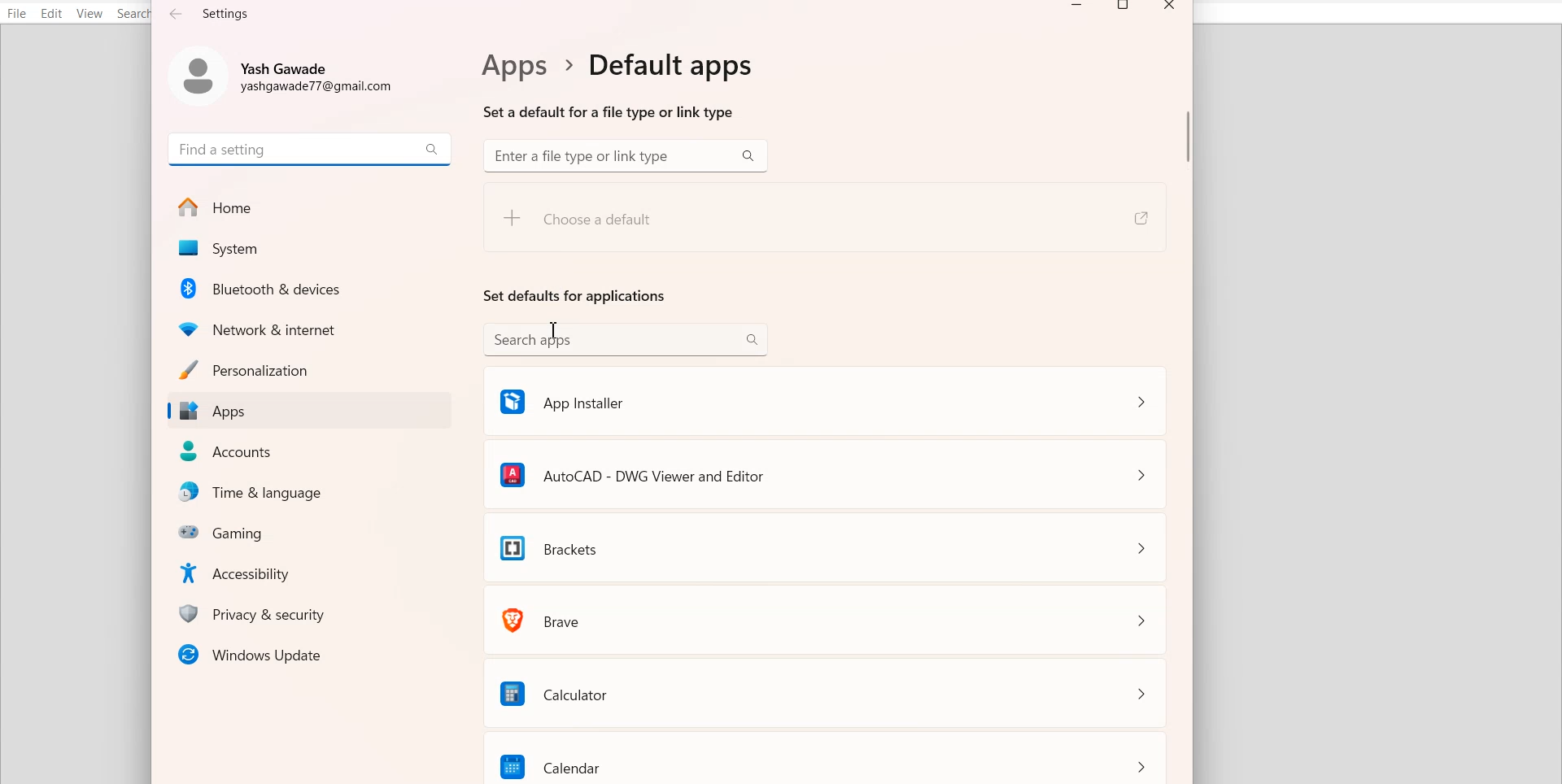 The width and height of the screenshot is (1562, 784). I want to click on Calendar, so click(829, 758).